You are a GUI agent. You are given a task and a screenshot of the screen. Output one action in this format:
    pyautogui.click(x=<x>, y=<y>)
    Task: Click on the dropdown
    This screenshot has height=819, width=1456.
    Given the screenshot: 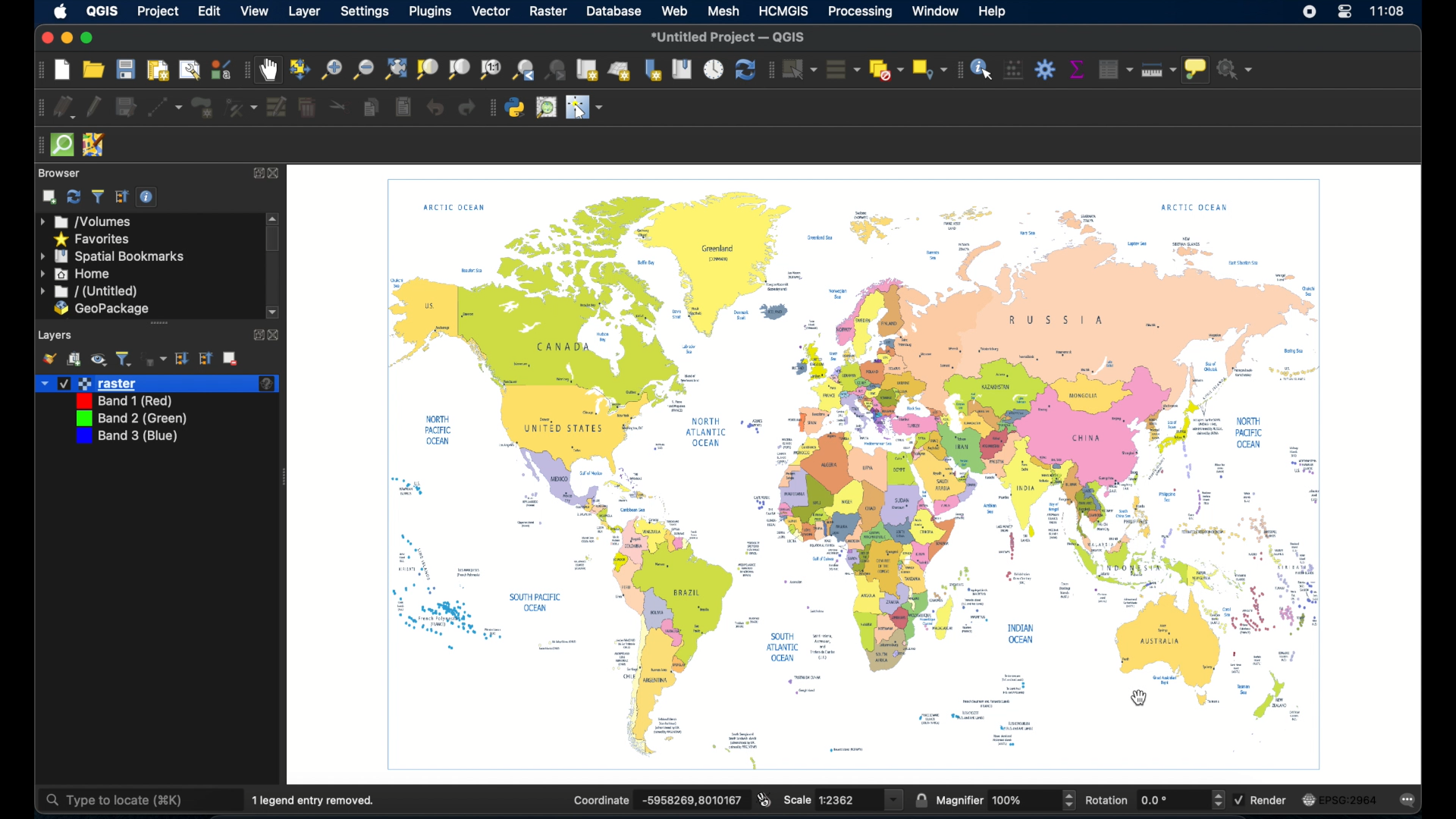 What is the action you would take?
    pyautogui.click(x=895, y=800)
    